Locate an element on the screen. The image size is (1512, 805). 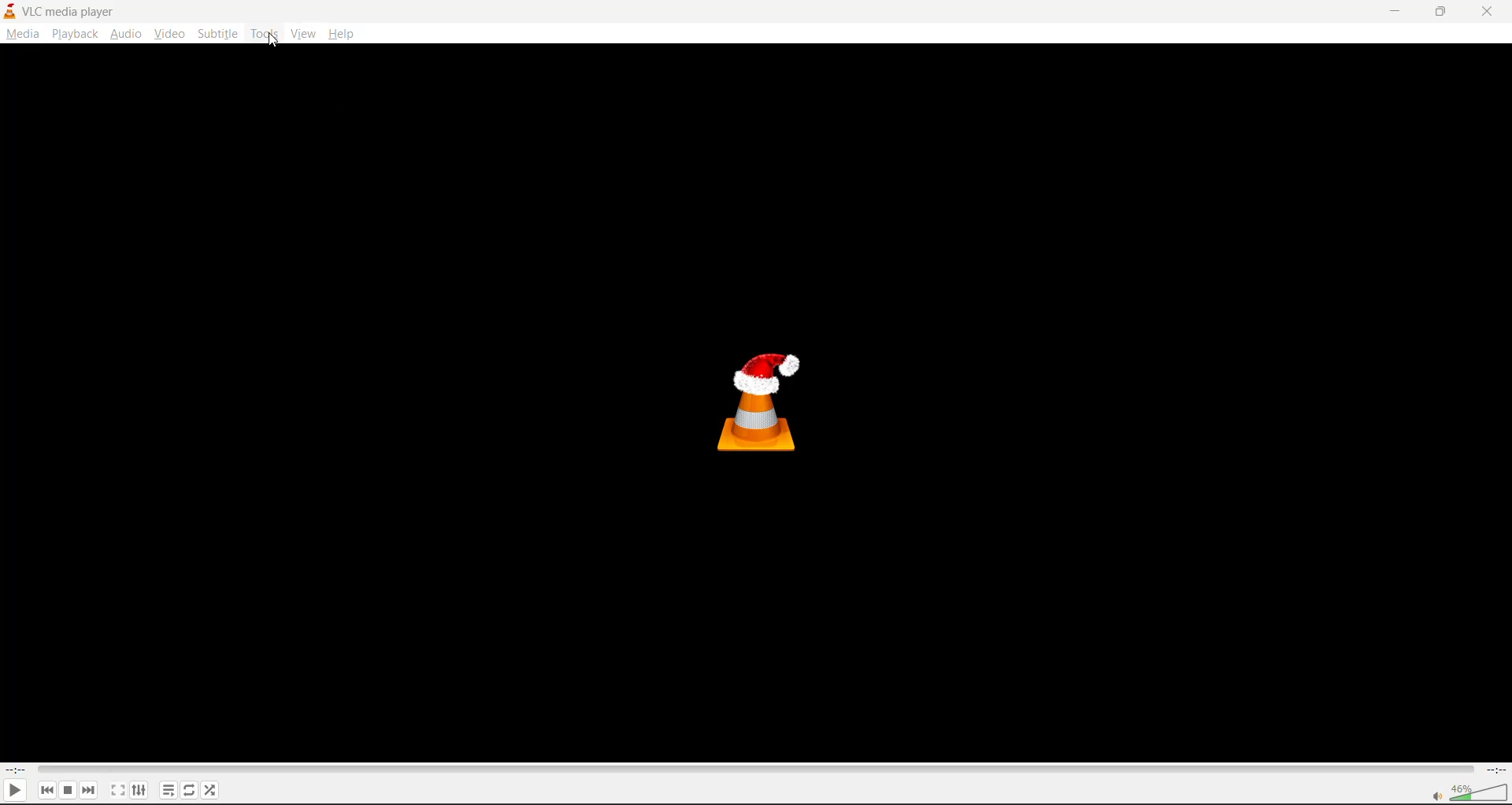
previous is located at coordinates (46, 791).